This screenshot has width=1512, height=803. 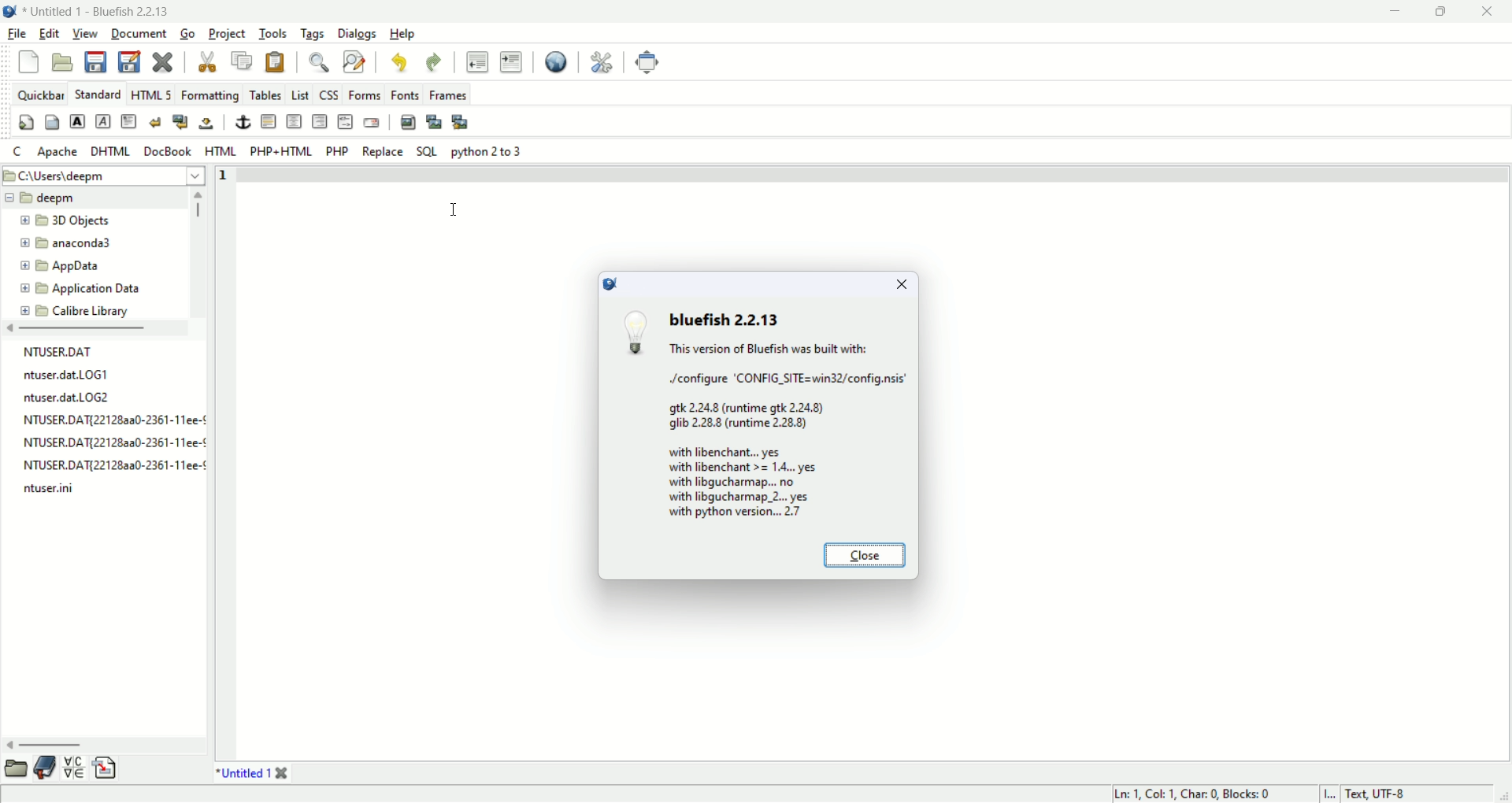 What do you see at coordinates (199, 252) in the screenshot?
I see `scroll bar` at bounding box center [199, 252].